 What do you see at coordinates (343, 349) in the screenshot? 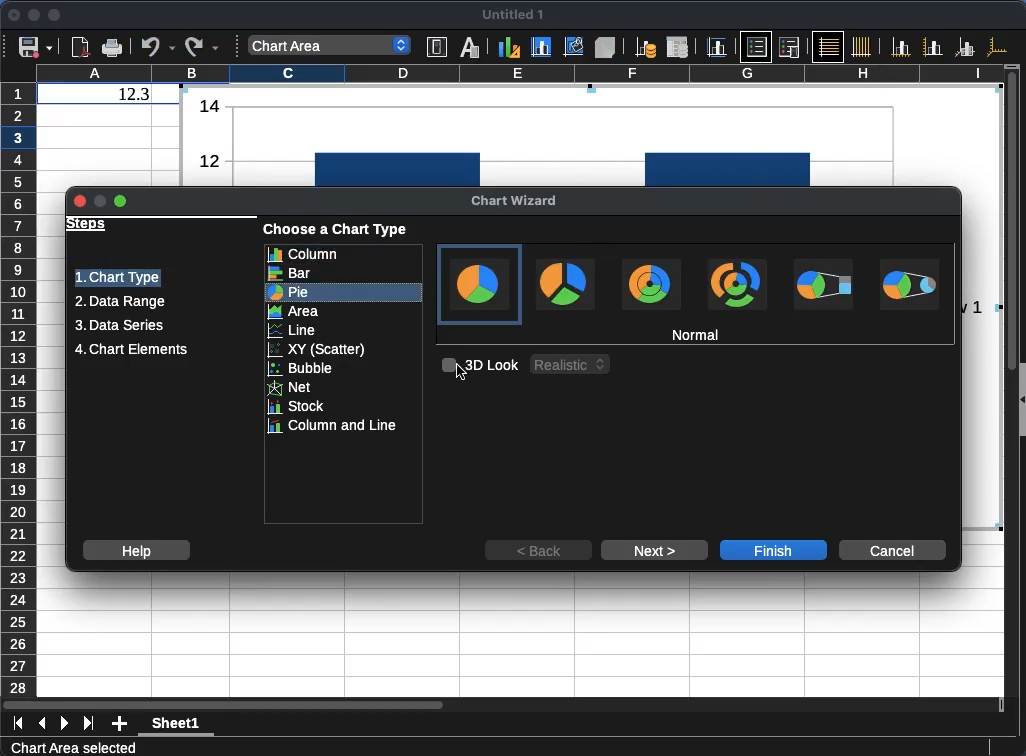
I see `xy scatter` at bounding box center [343, 349].